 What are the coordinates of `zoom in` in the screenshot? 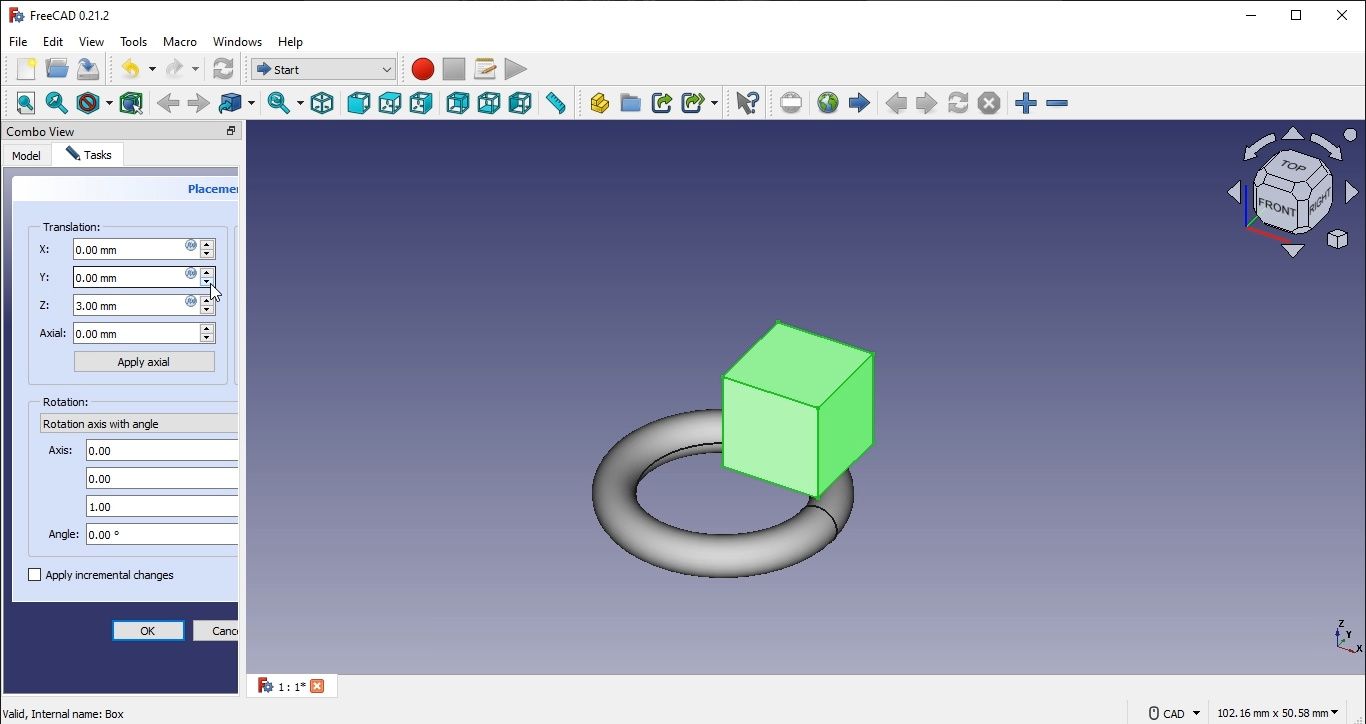 It's located at (1026, 103).